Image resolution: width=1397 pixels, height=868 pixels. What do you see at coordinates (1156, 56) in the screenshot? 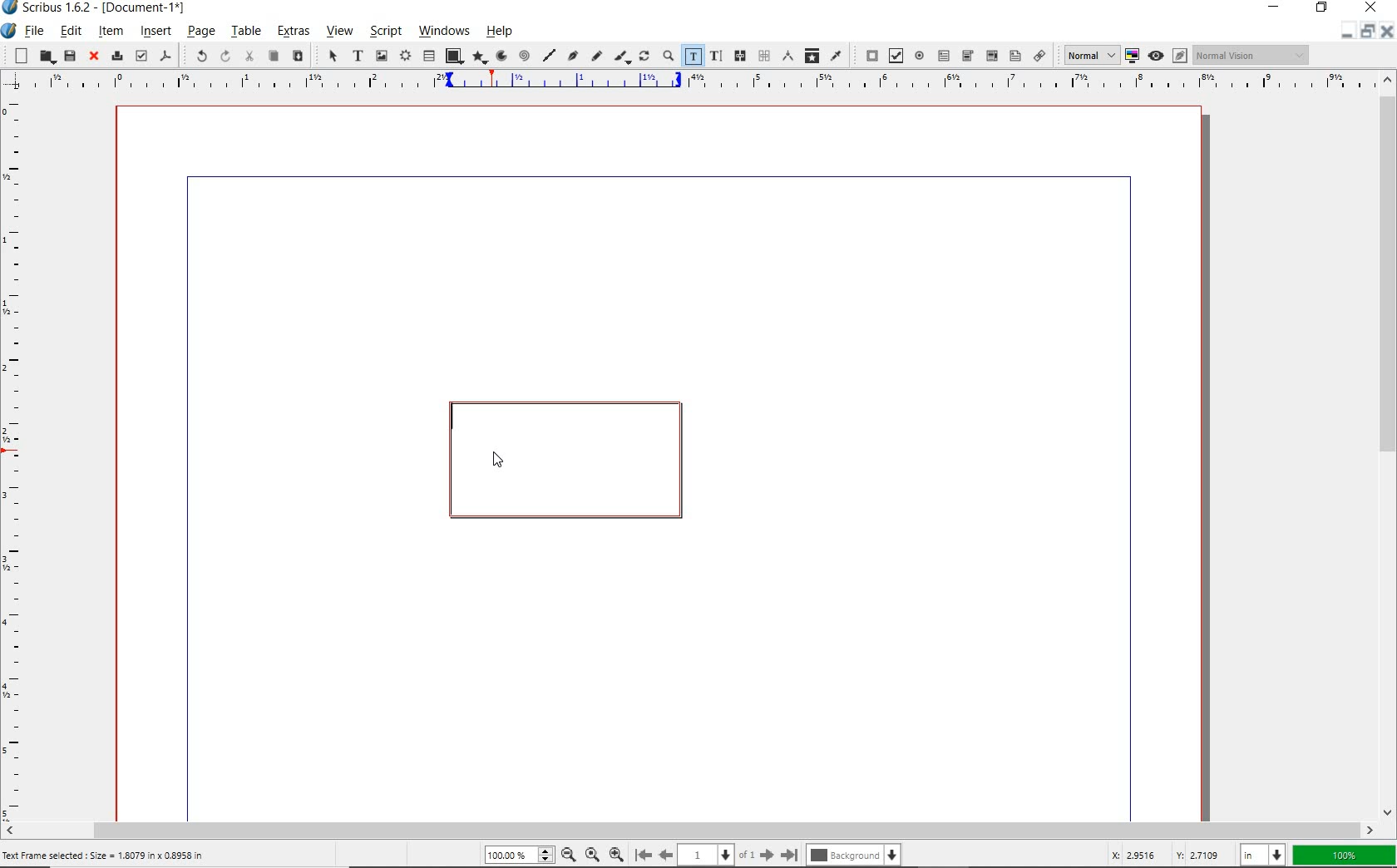
I see `preview mode` at bounding box center [1156, 56].